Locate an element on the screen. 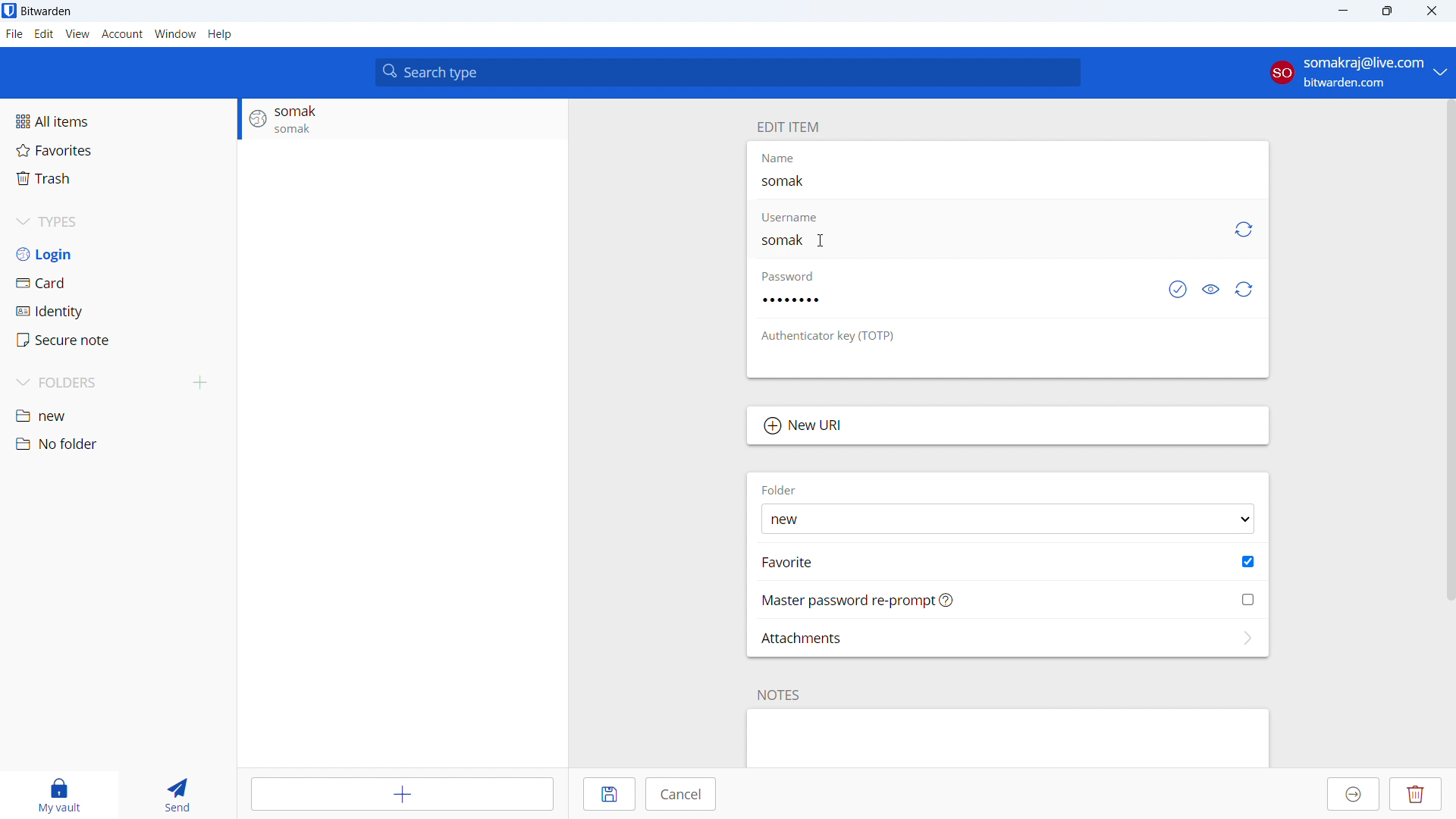 This screenshot has width=1456, height=819. check if password has been exposed is located at coordinates (1178, 288).